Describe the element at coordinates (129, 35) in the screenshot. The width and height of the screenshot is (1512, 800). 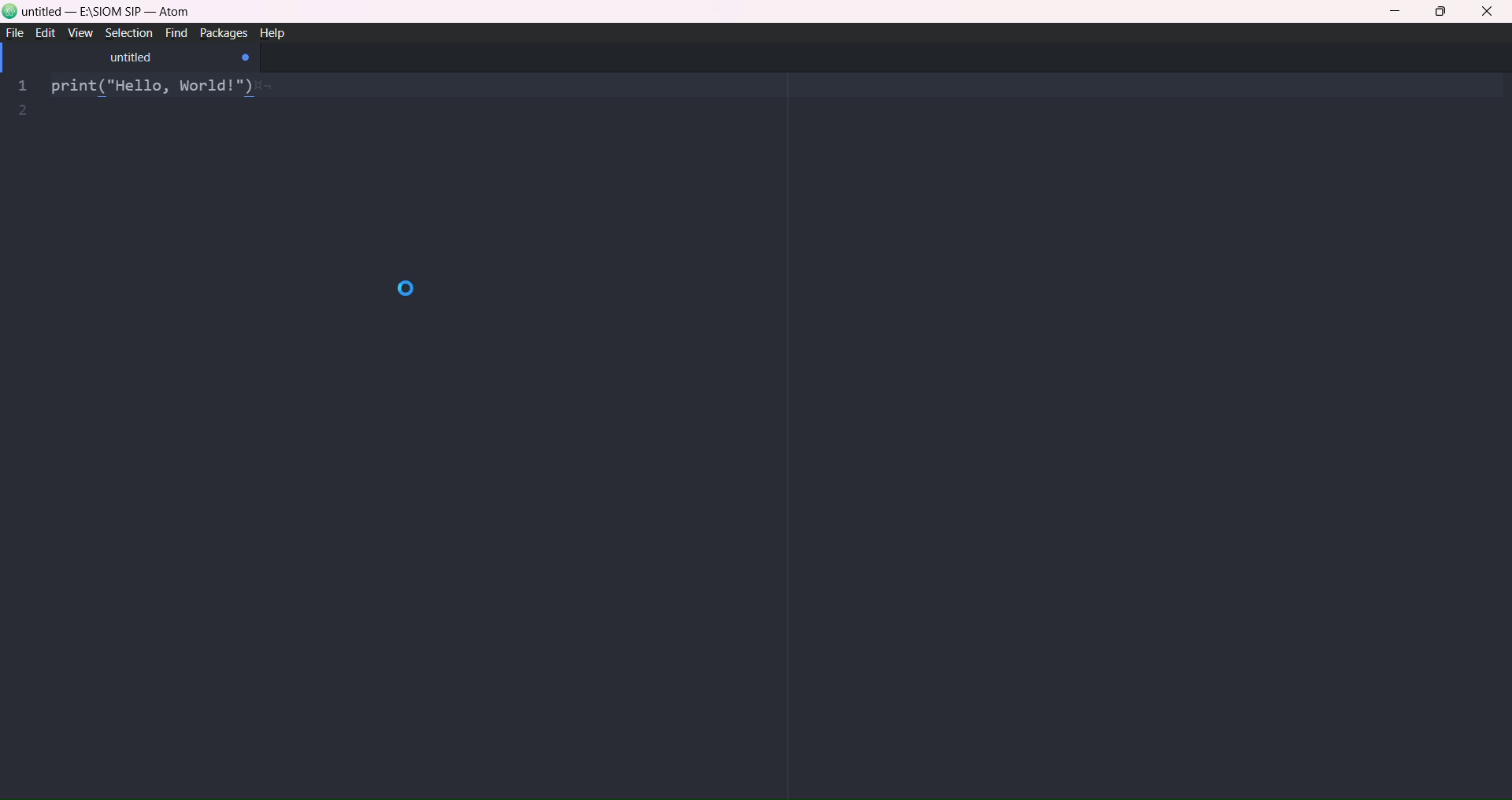
I see `selection` at that location.